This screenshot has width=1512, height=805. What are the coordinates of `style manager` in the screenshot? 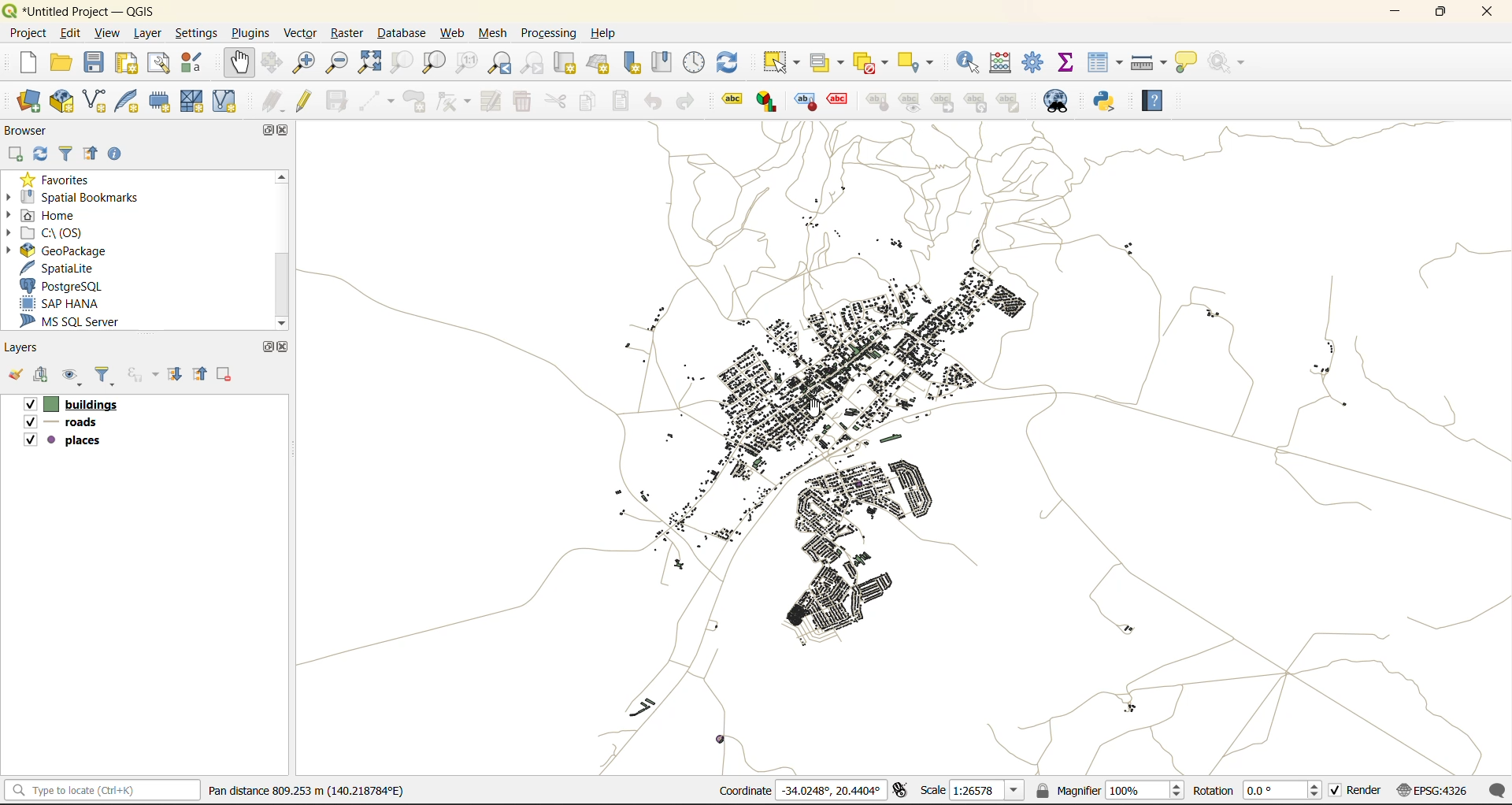 It's located at (197, 61).